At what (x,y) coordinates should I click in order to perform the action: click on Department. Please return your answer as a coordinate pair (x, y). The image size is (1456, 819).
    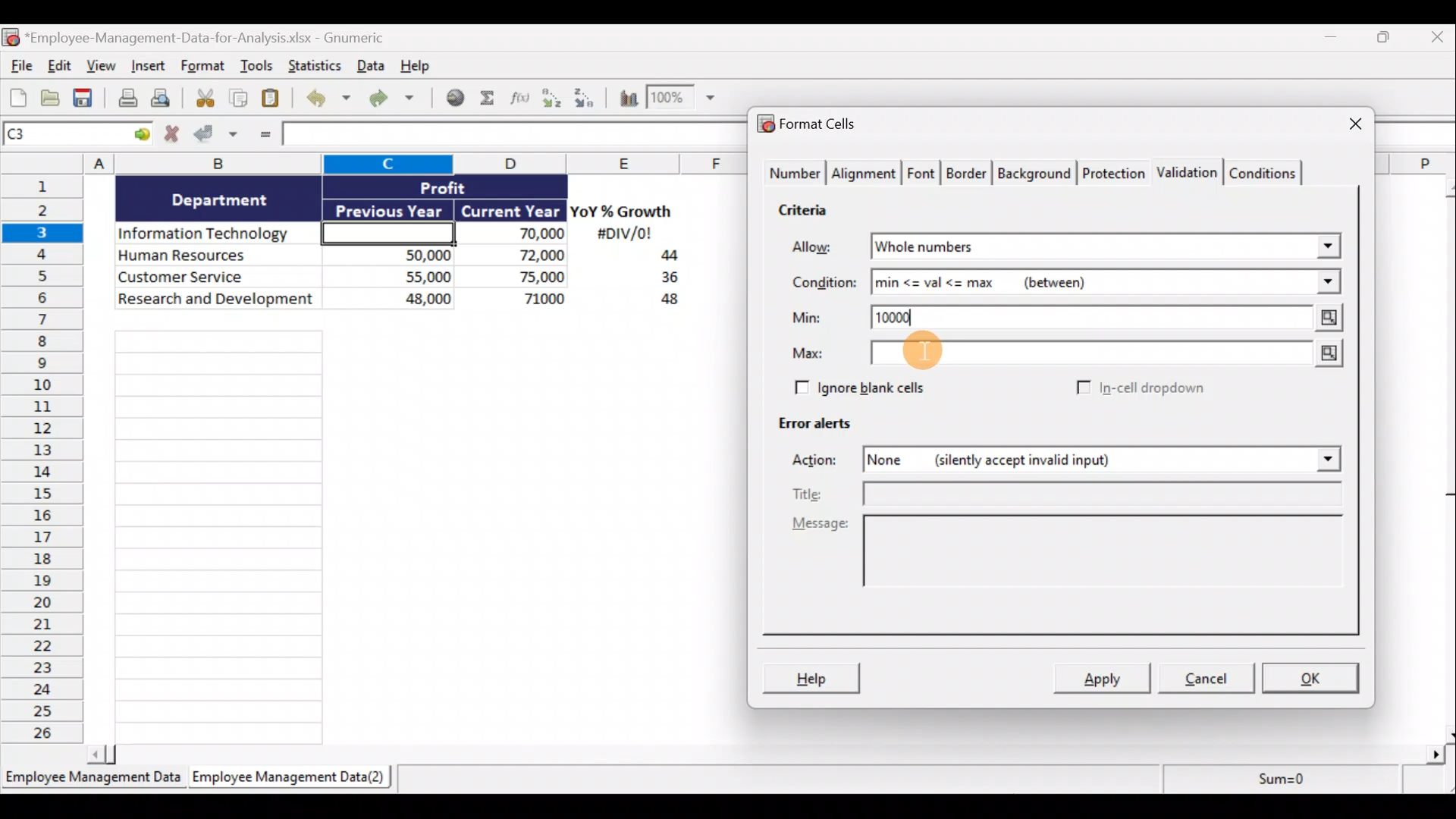
    Looking at the image, I should click on (220, 199).